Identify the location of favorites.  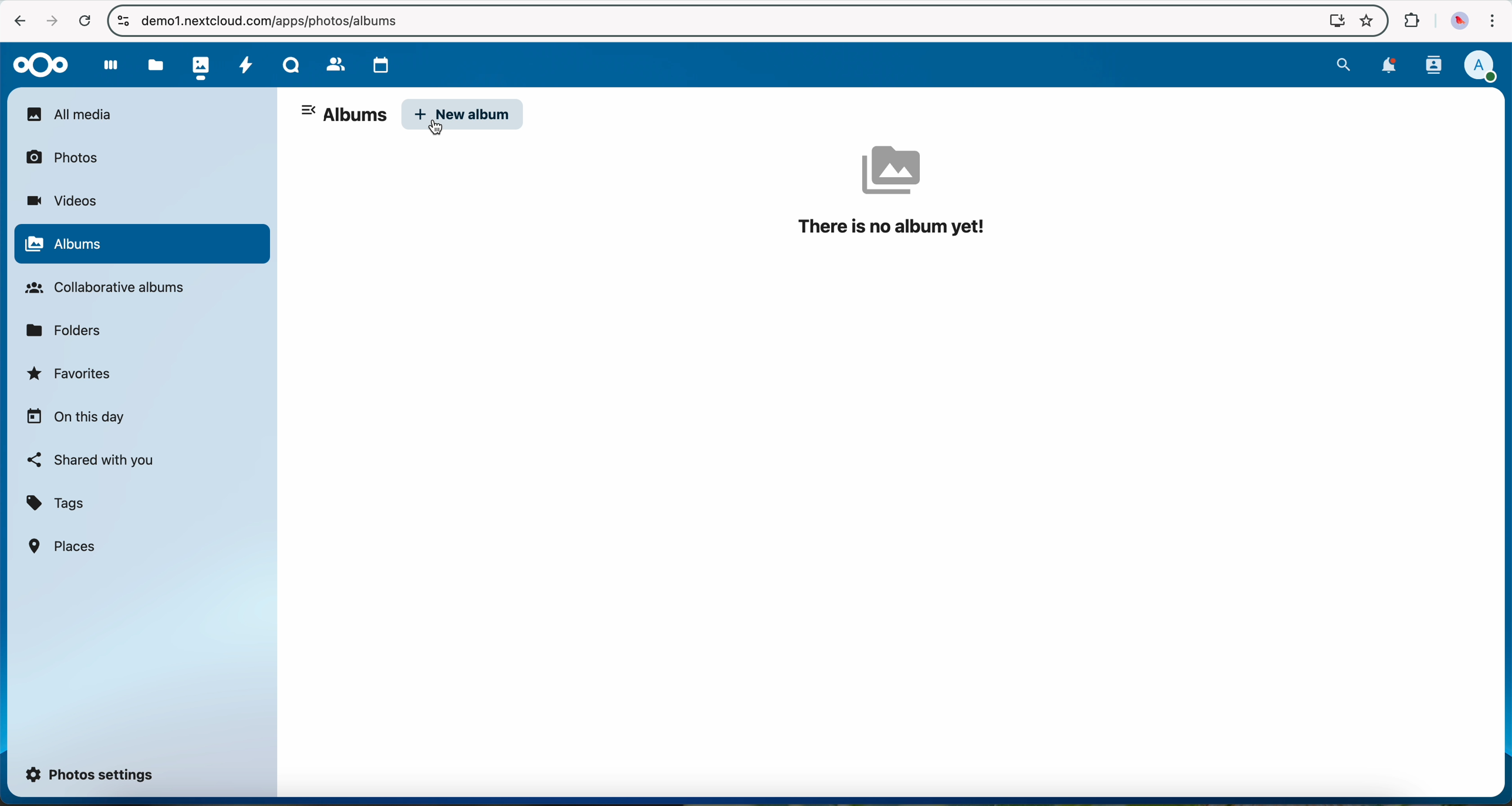
(71, 377).